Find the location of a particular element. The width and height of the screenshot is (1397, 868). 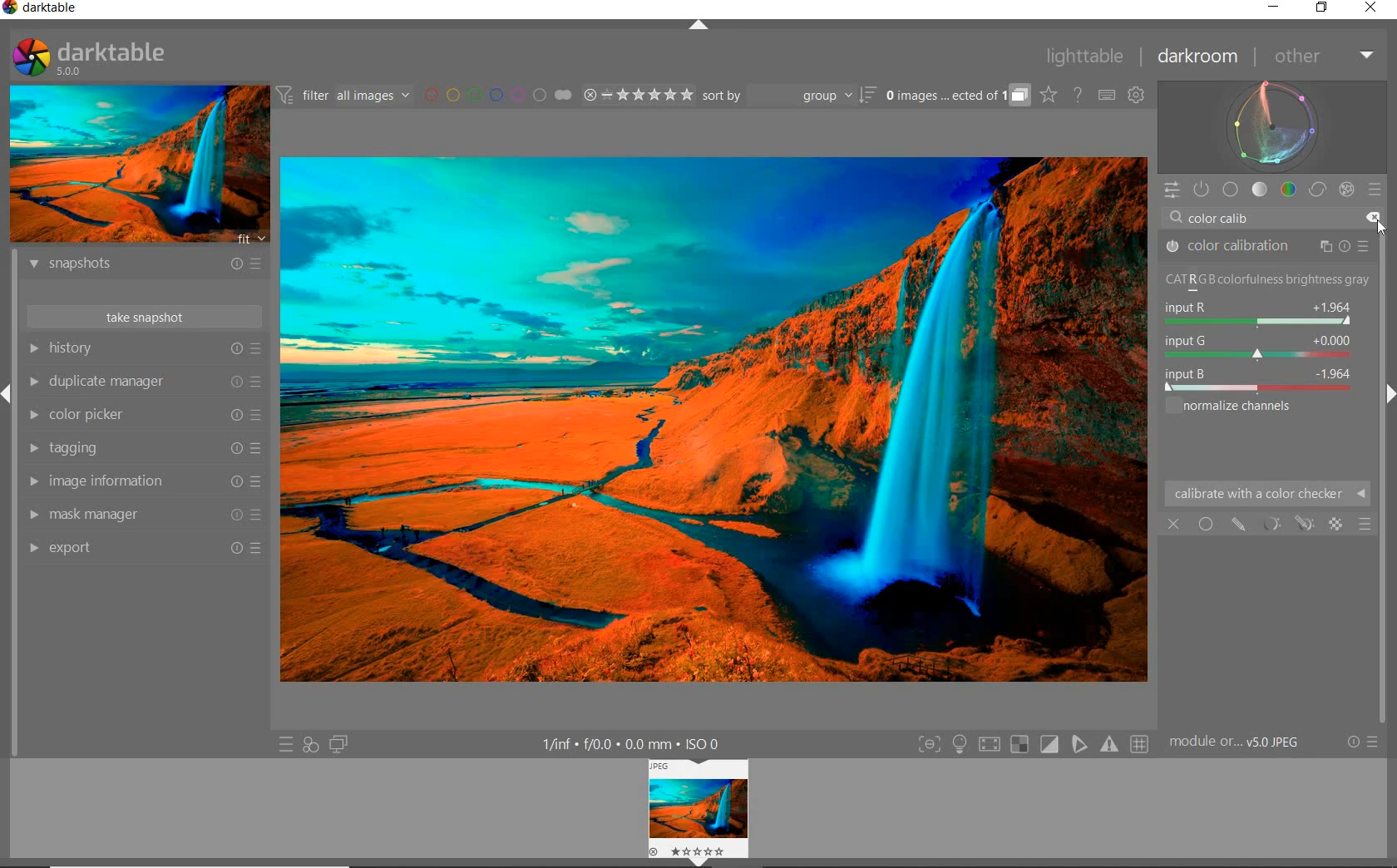

RESET OR PRESETS & PREFERENCES is located at coordinates (1362, 743).